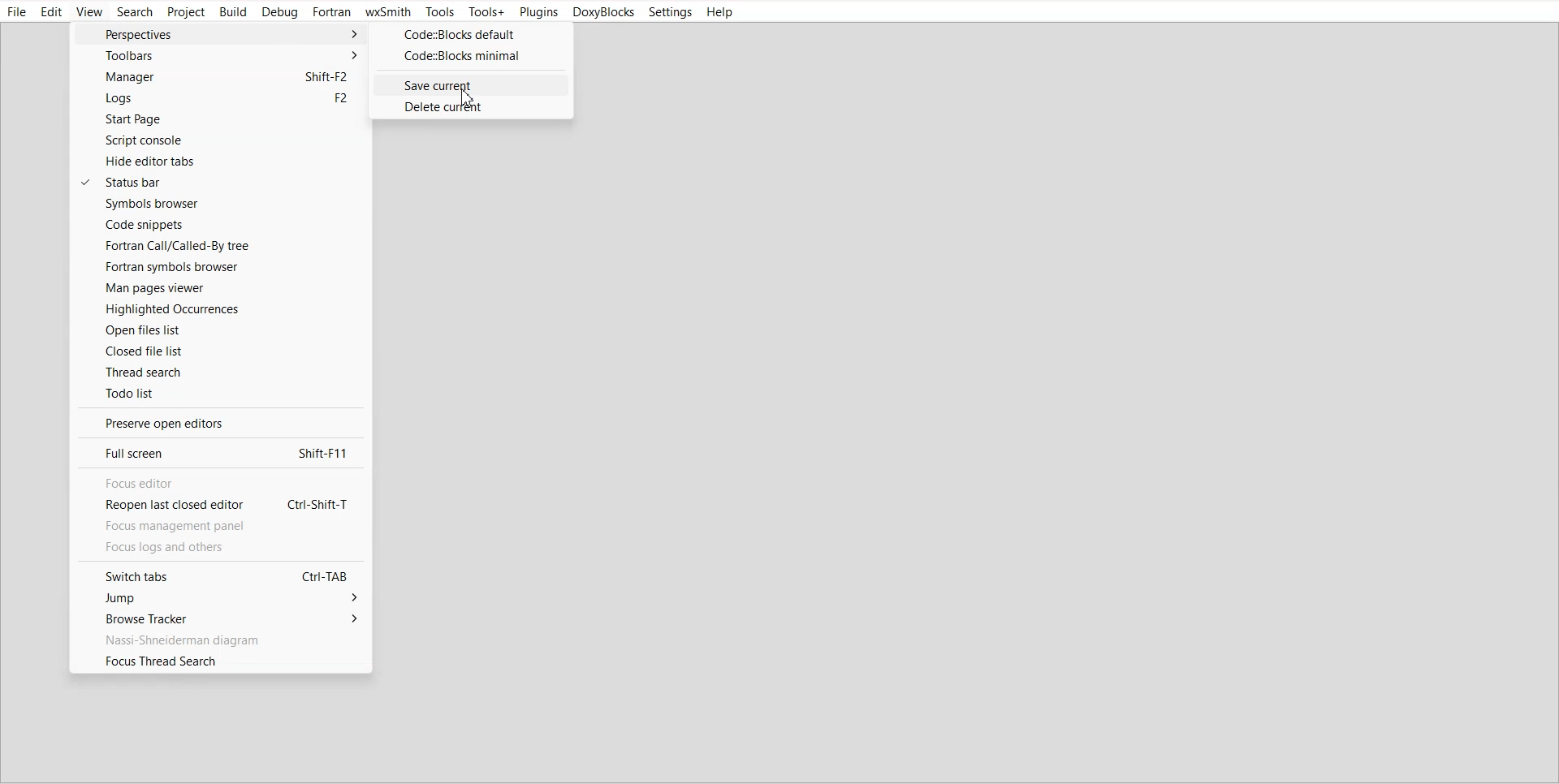 This screenshot has height=784, width=1559. What do you see at coordinates (218, 55) in the screenshot?
I see `Toolbars` at bounding box center [218, 55].